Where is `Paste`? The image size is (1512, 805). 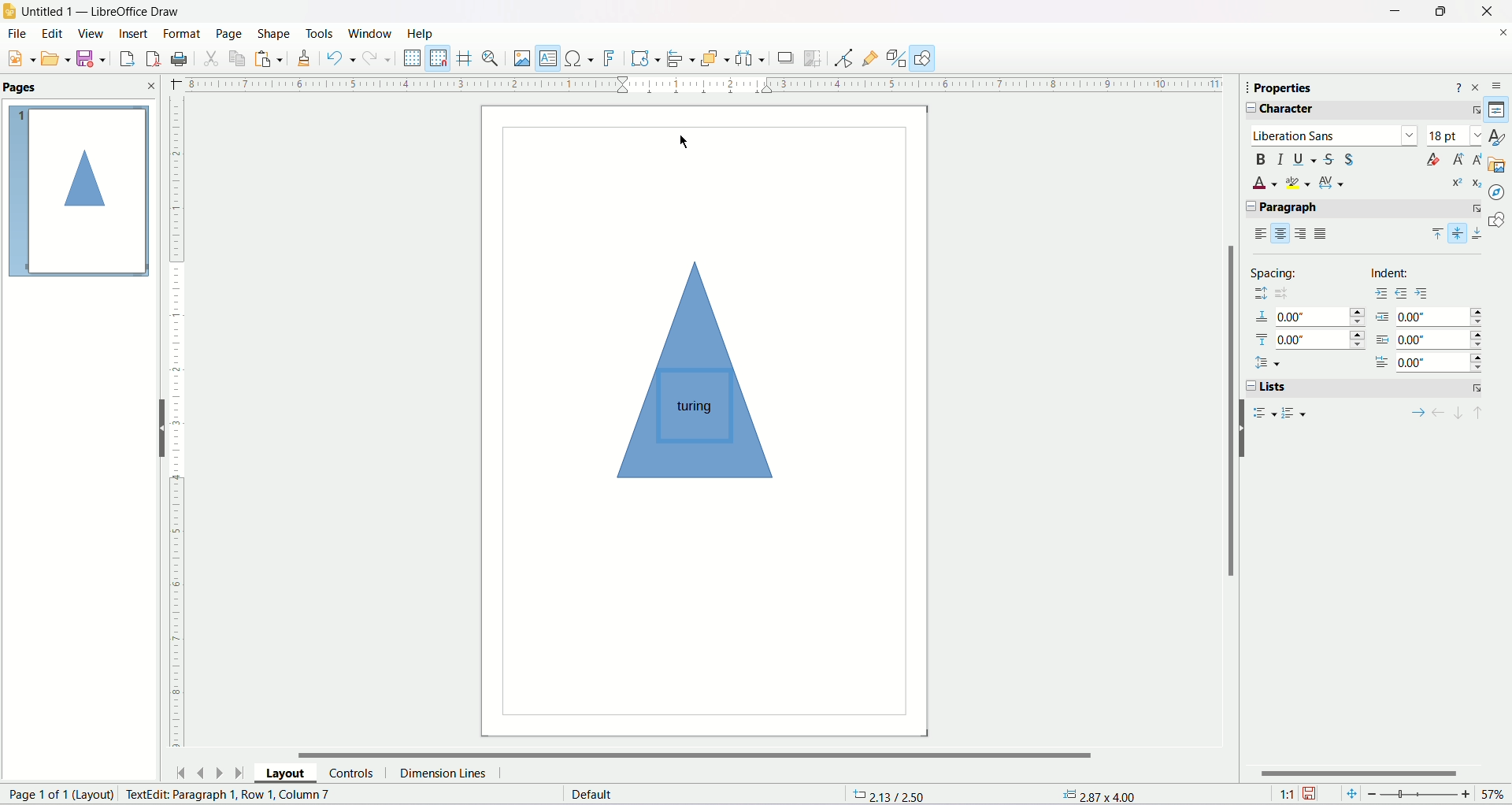
Paste is located at coordinates (269, 57).